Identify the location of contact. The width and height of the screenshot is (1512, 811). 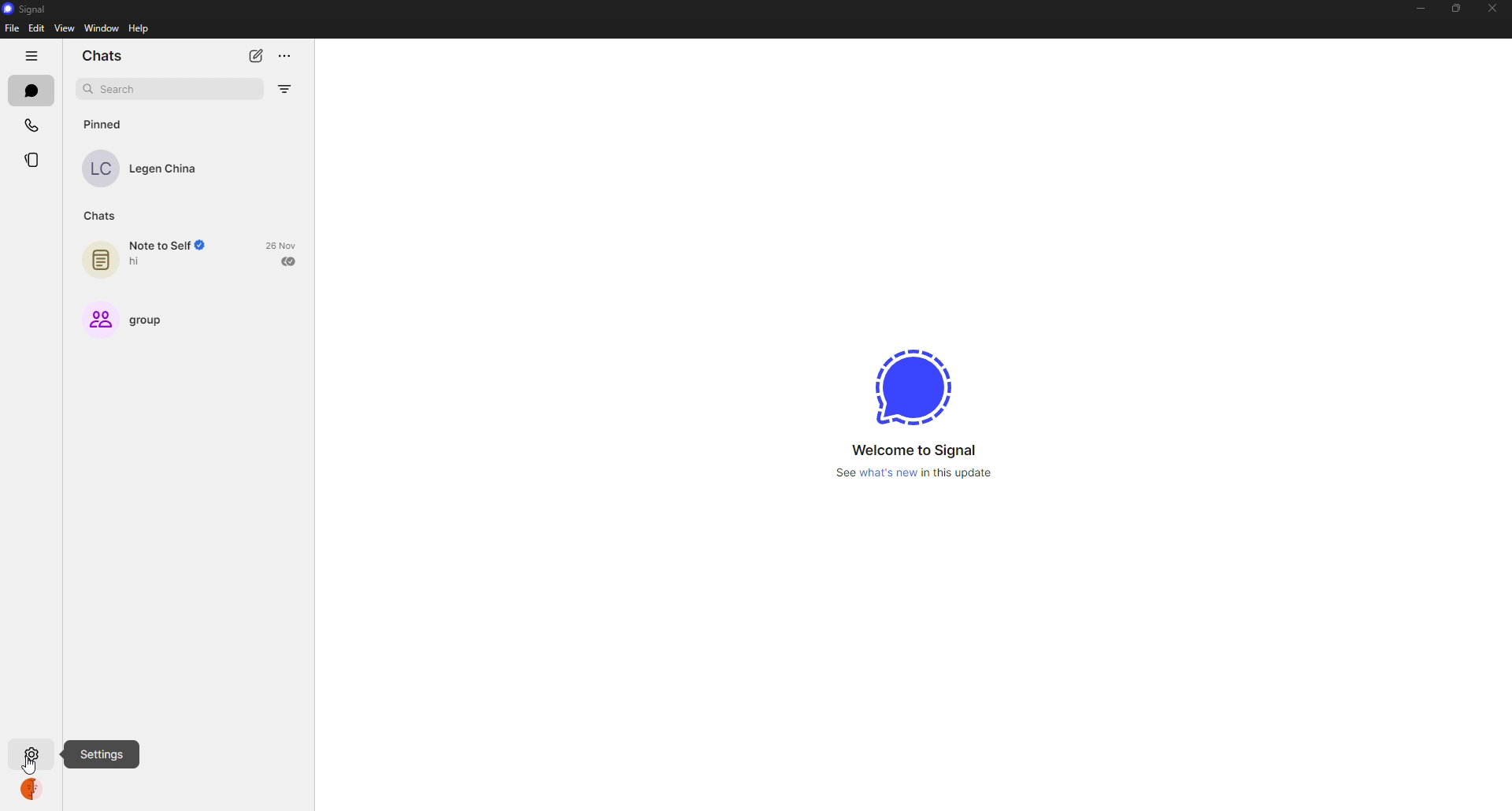
(150, 168).